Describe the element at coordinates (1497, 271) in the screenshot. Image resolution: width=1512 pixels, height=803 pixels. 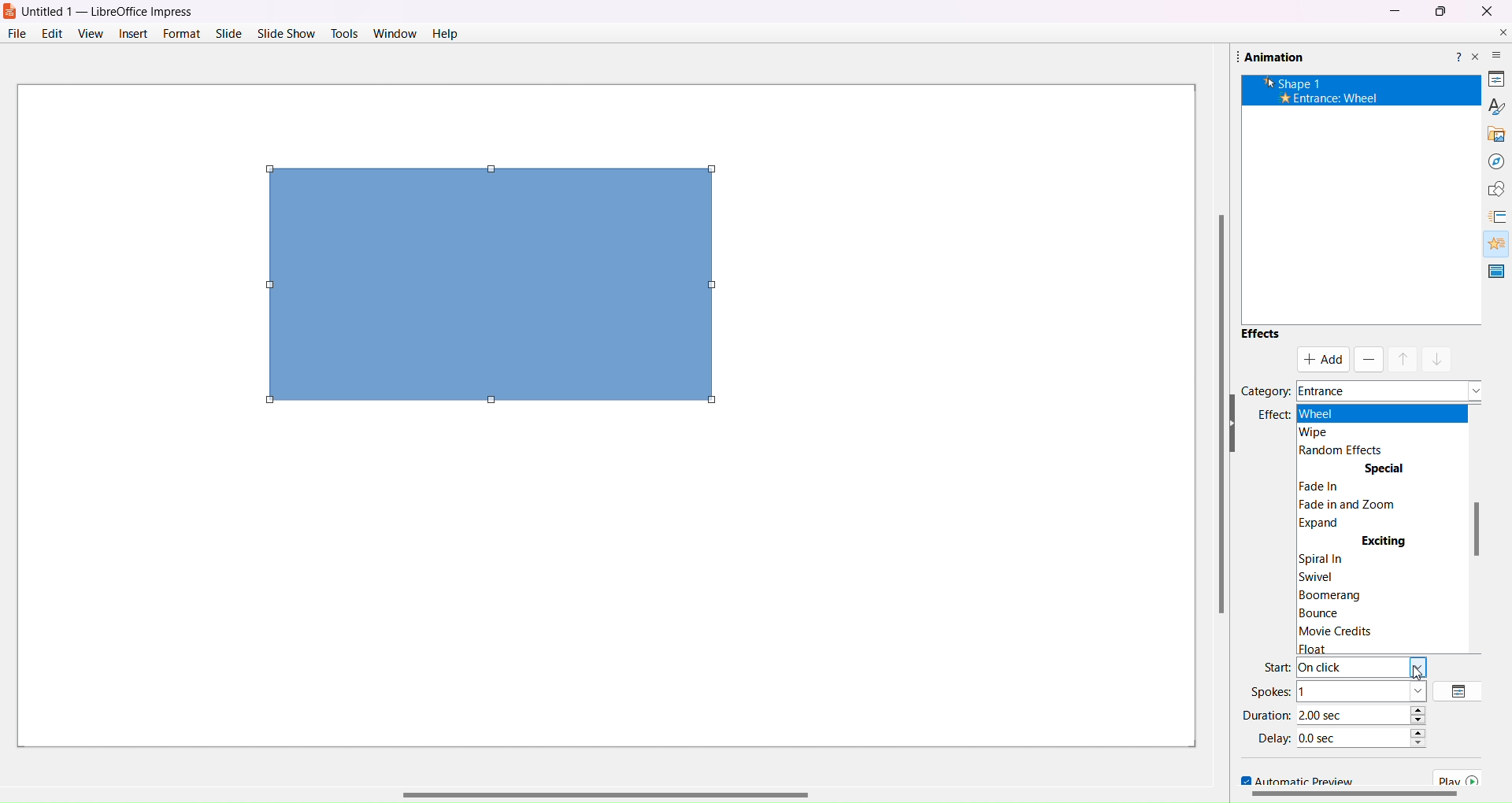
I see `Master Slide` at that location.